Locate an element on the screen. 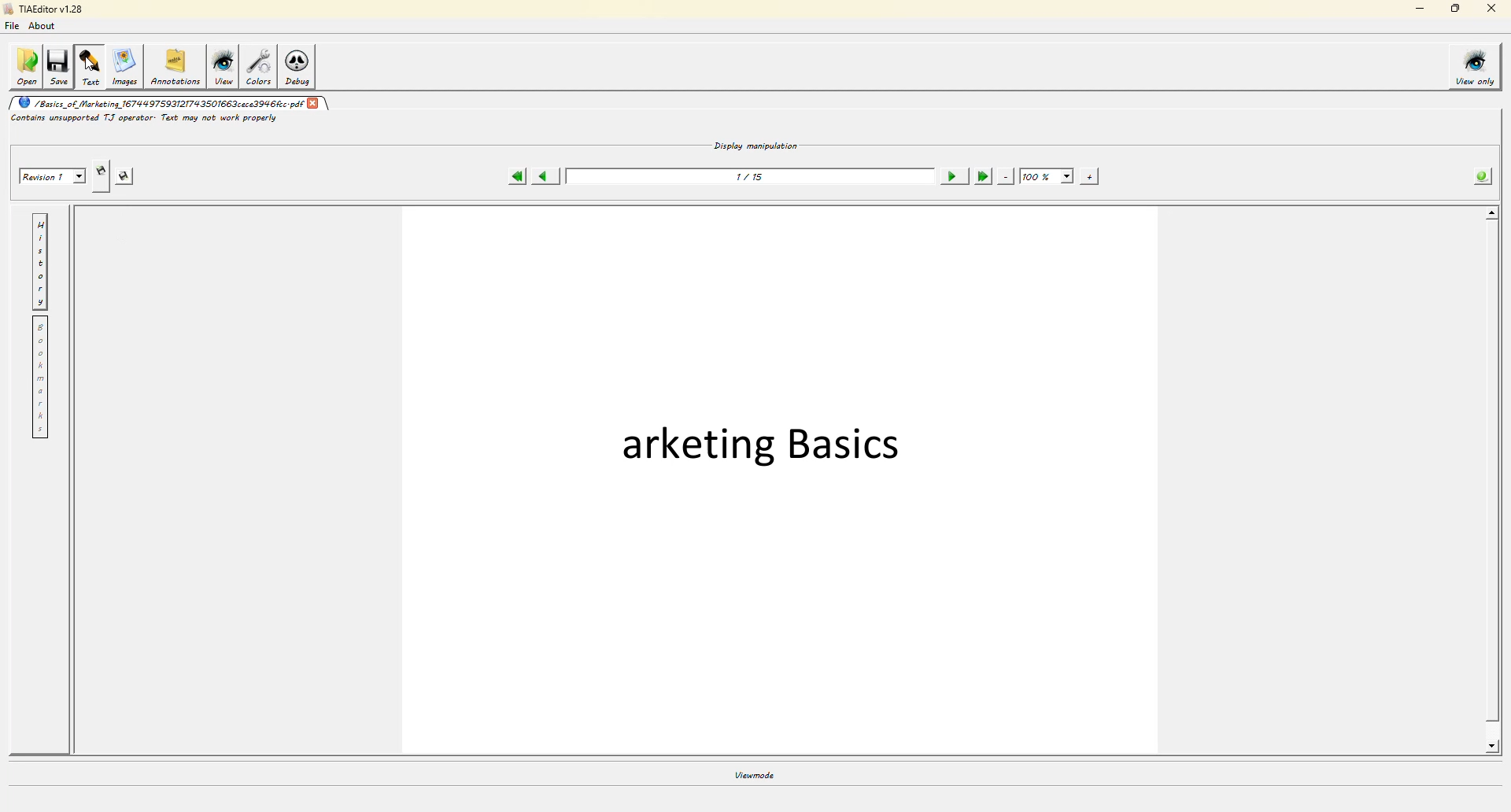  save the revision is located at coordinates (131, 177).